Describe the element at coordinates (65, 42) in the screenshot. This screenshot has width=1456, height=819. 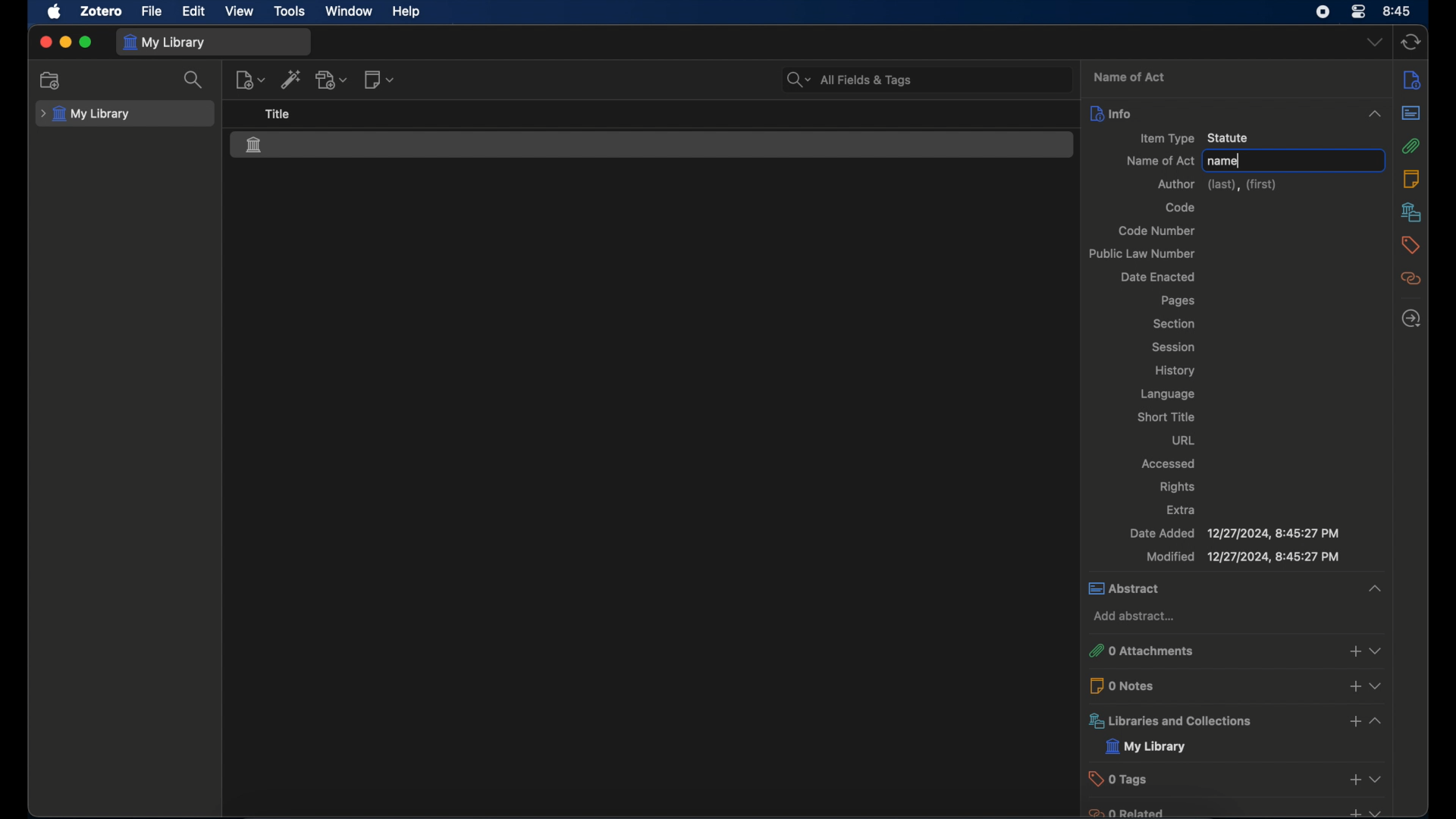
I see `minimize` at that location.